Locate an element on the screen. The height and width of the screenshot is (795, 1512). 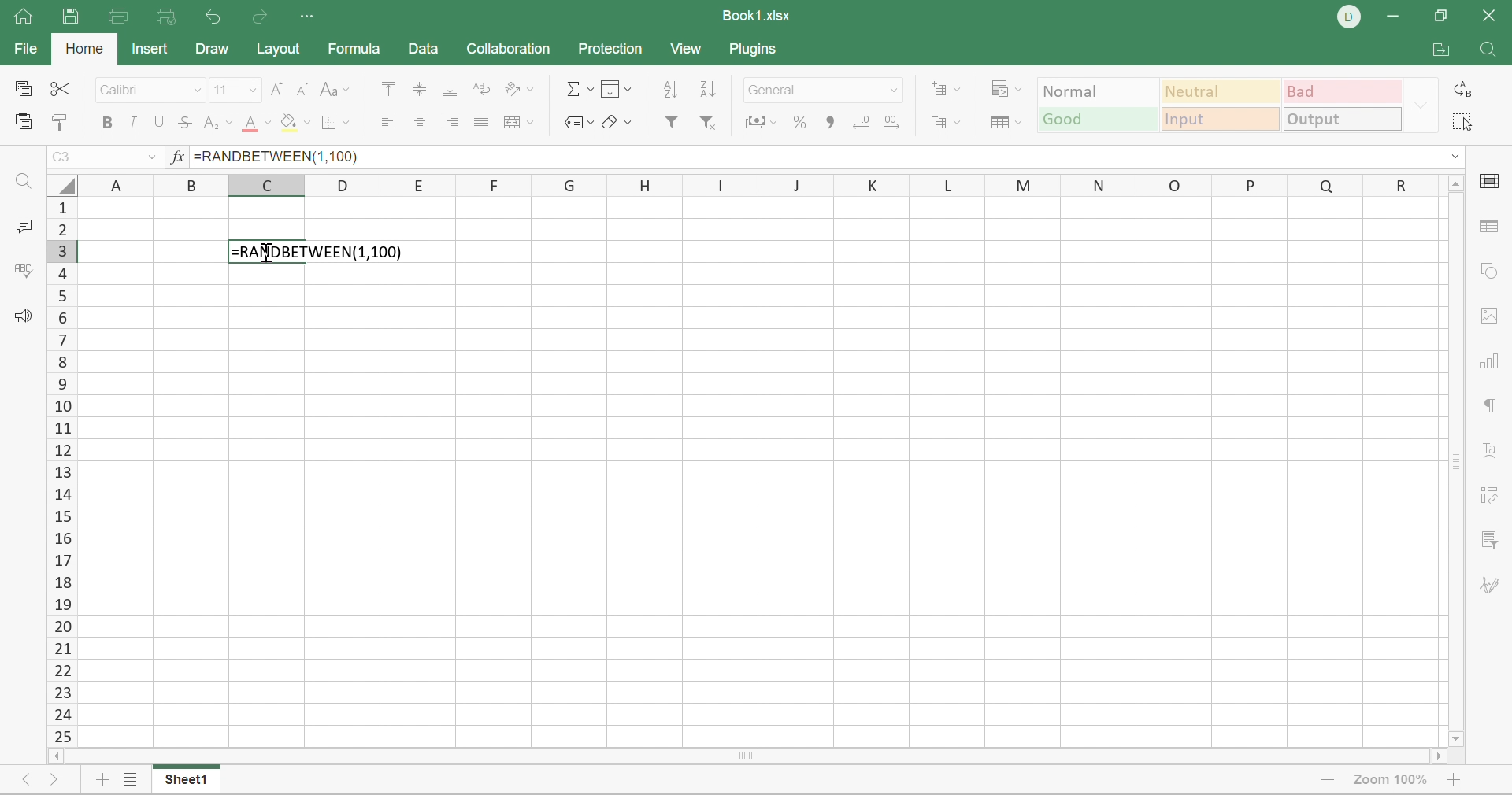
Scroll Bar is located at coordinates (1456, 462).